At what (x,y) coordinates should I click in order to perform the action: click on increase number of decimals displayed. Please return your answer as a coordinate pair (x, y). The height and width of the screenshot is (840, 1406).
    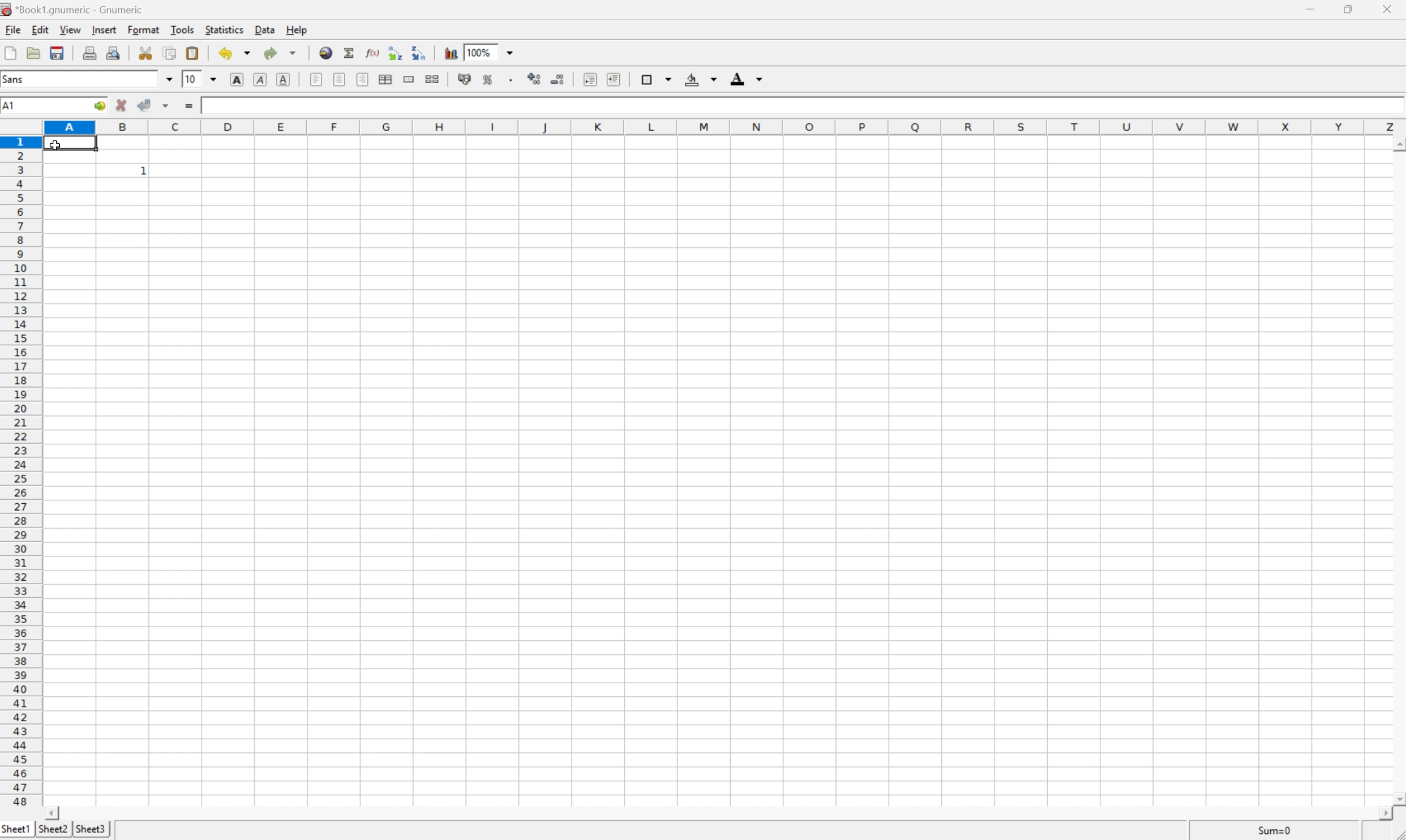
    Looking at the image, I should click on (535, 80).